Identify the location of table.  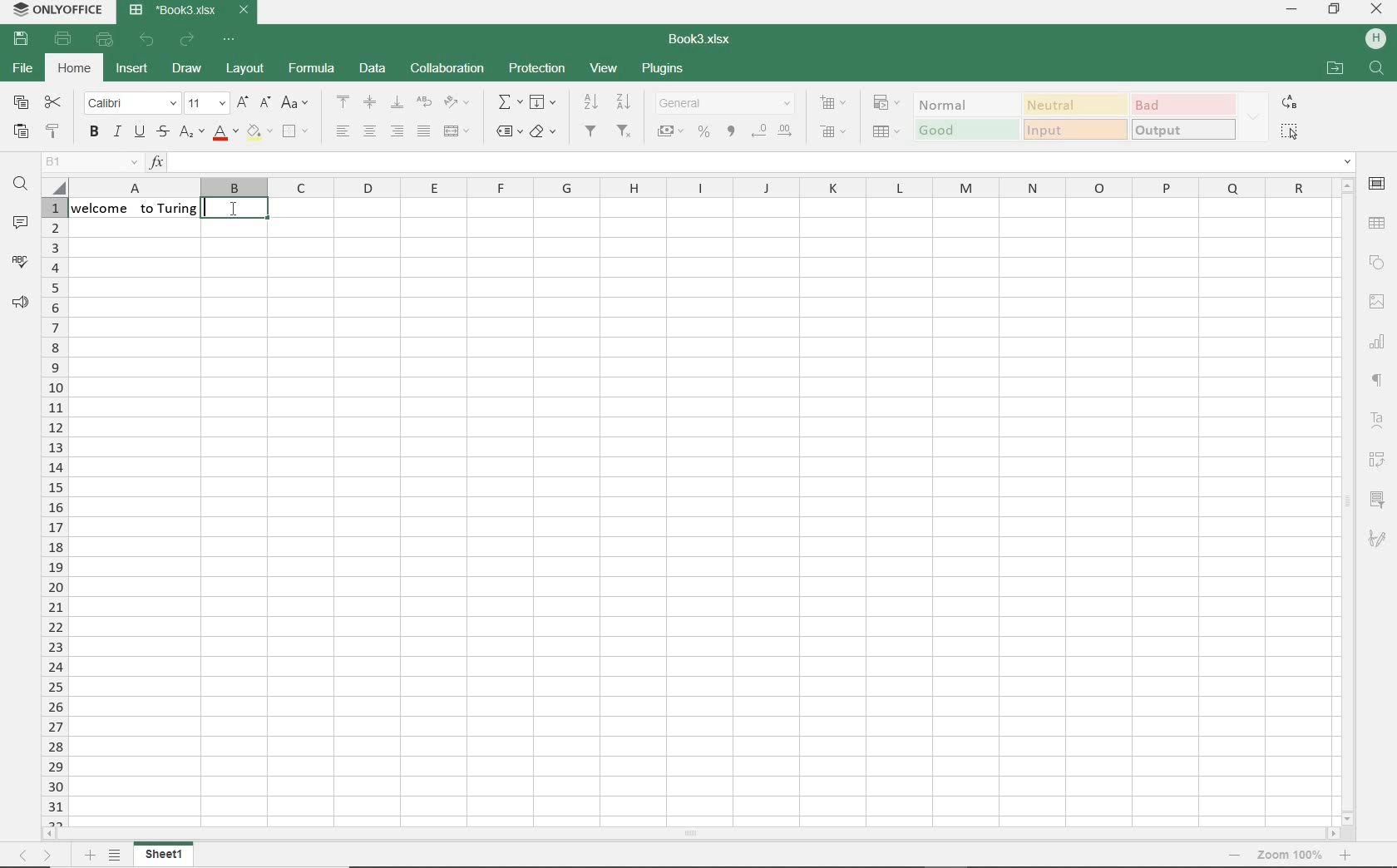
(1378, 225).